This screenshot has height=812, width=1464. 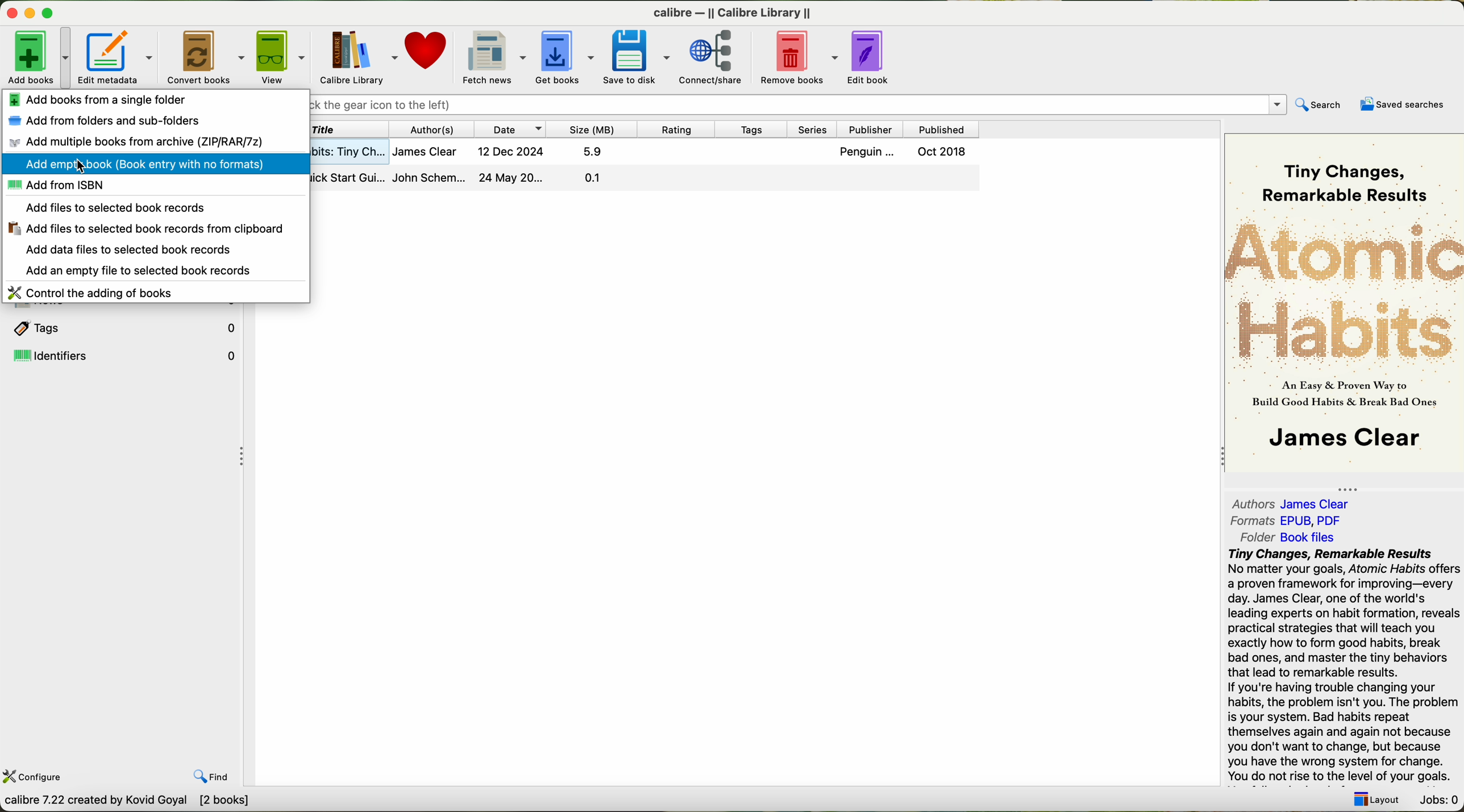 I want to click on date, so click(x=510, y=129).